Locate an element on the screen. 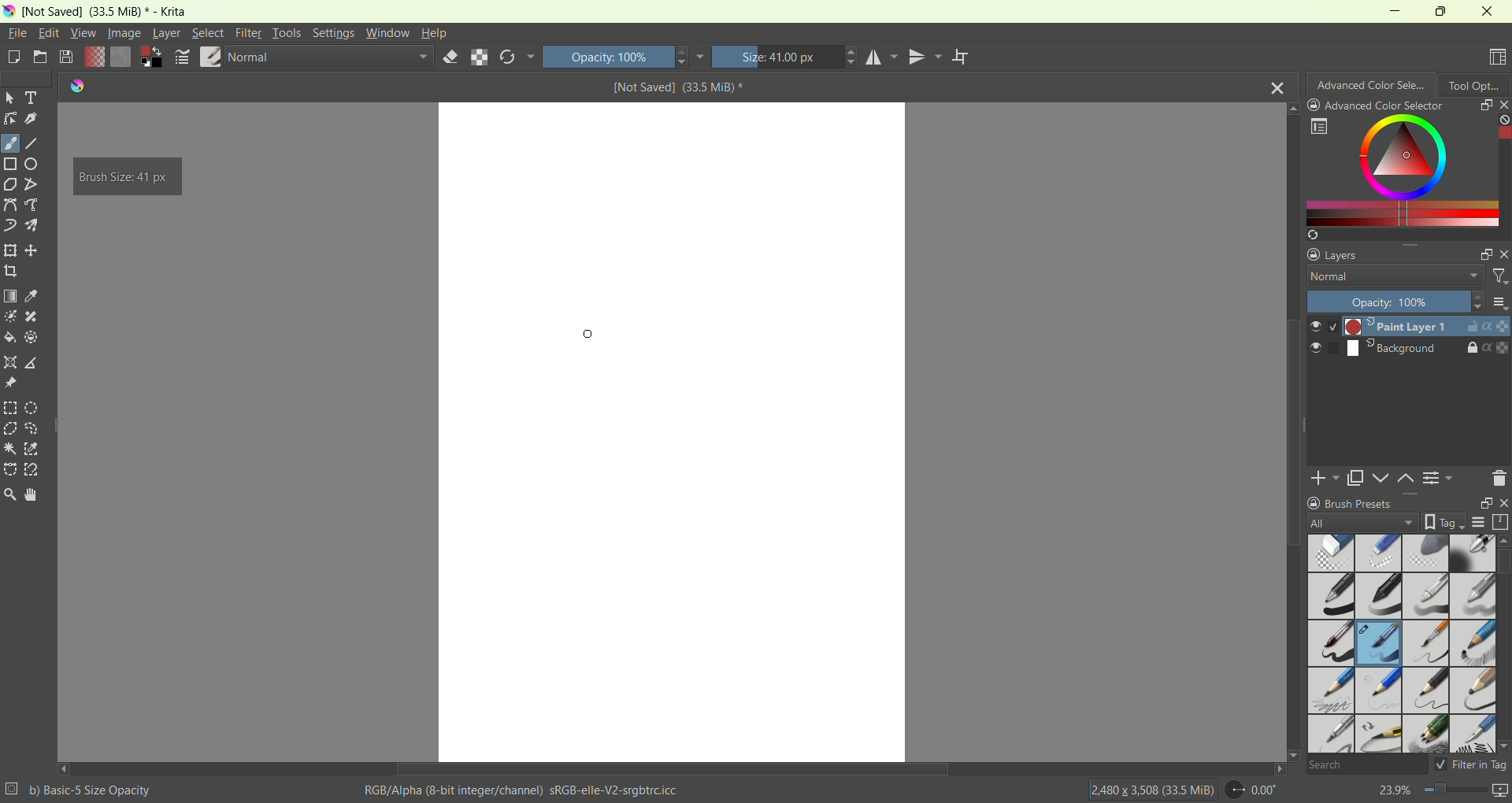 The image size is (1512, 803). color selection is located at coordinates (1396, 169).